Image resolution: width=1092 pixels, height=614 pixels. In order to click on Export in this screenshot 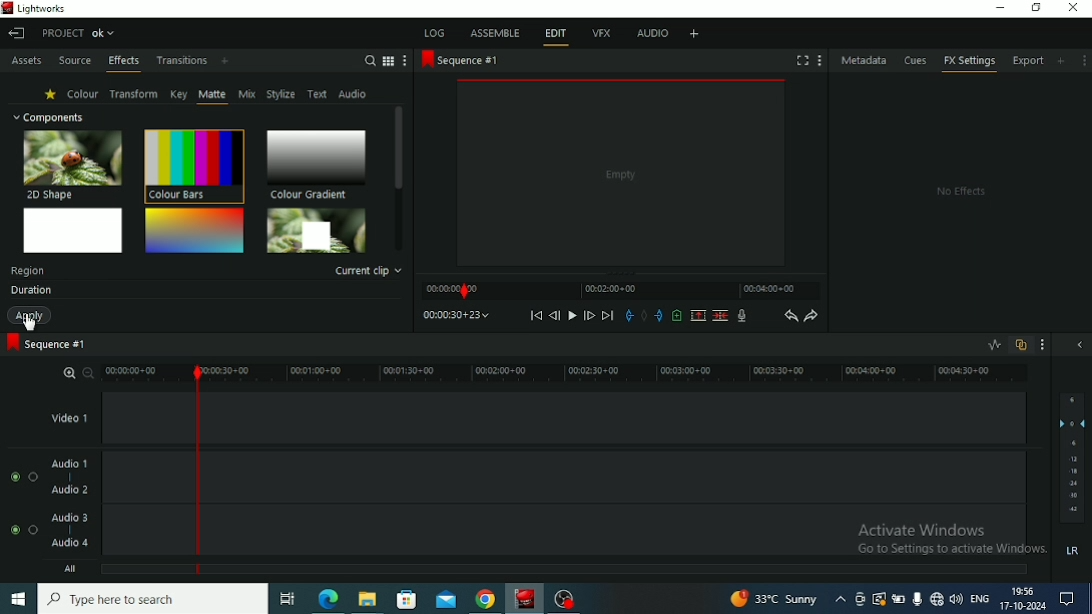, I will do `click(1030, 63)`.